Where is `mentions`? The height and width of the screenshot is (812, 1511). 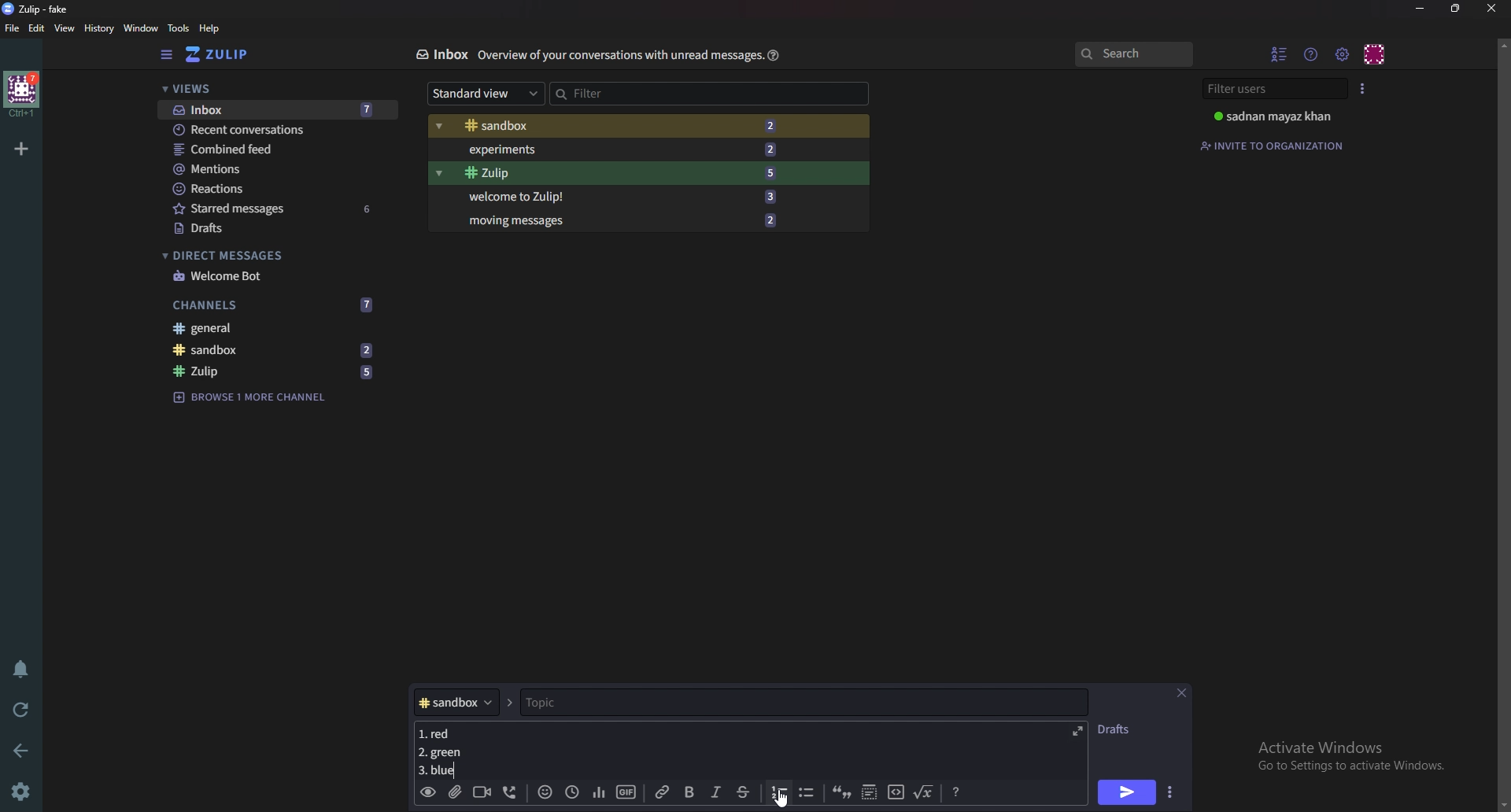 mentions is located at coordinates (277, 170).